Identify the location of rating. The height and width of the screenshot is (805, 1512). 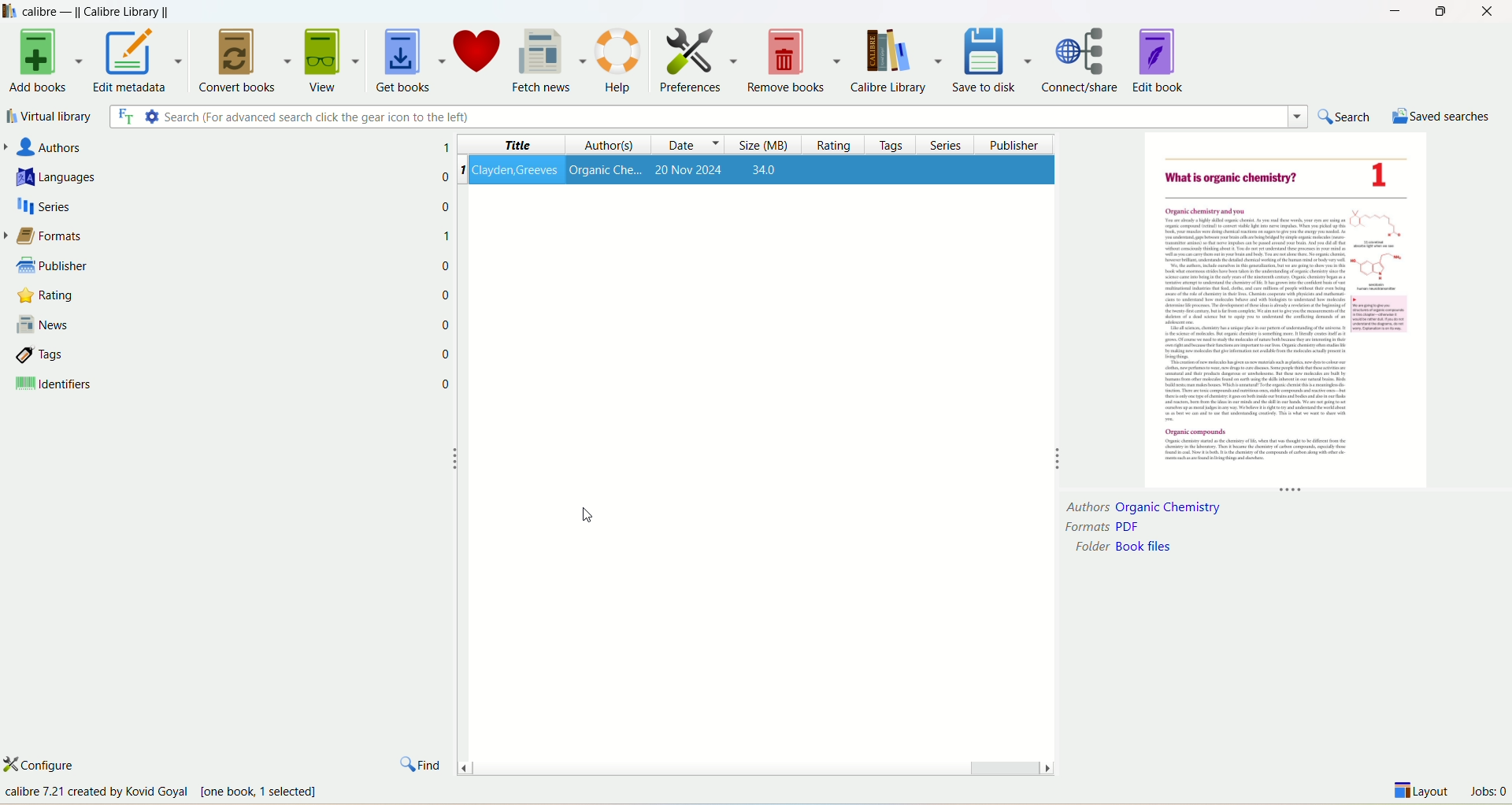
(210, 297).